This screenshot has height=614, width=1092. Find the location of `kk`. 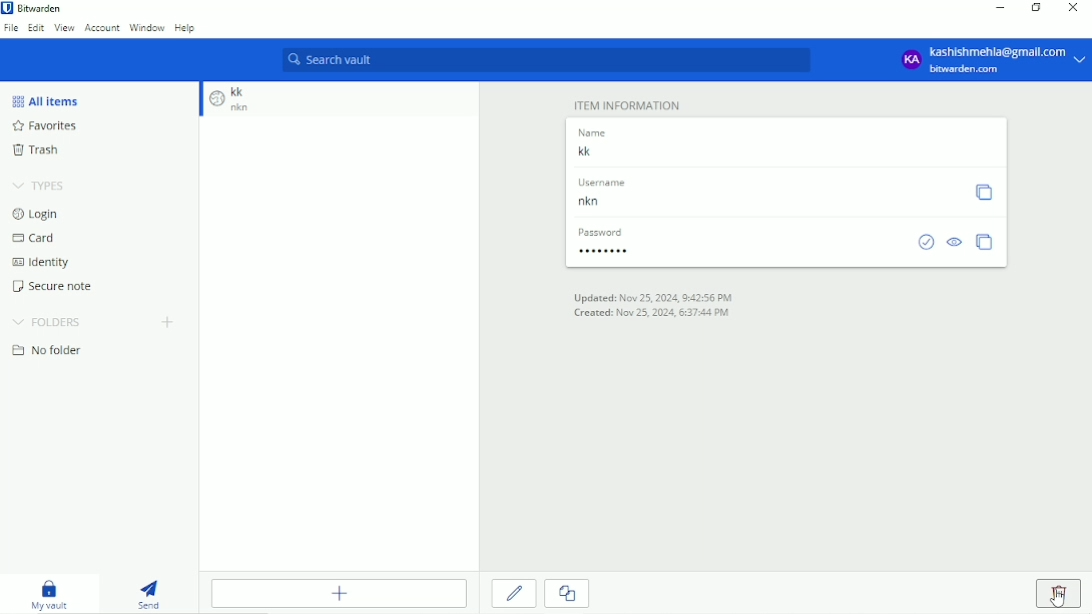

kk is located at coordinates (241, 91).